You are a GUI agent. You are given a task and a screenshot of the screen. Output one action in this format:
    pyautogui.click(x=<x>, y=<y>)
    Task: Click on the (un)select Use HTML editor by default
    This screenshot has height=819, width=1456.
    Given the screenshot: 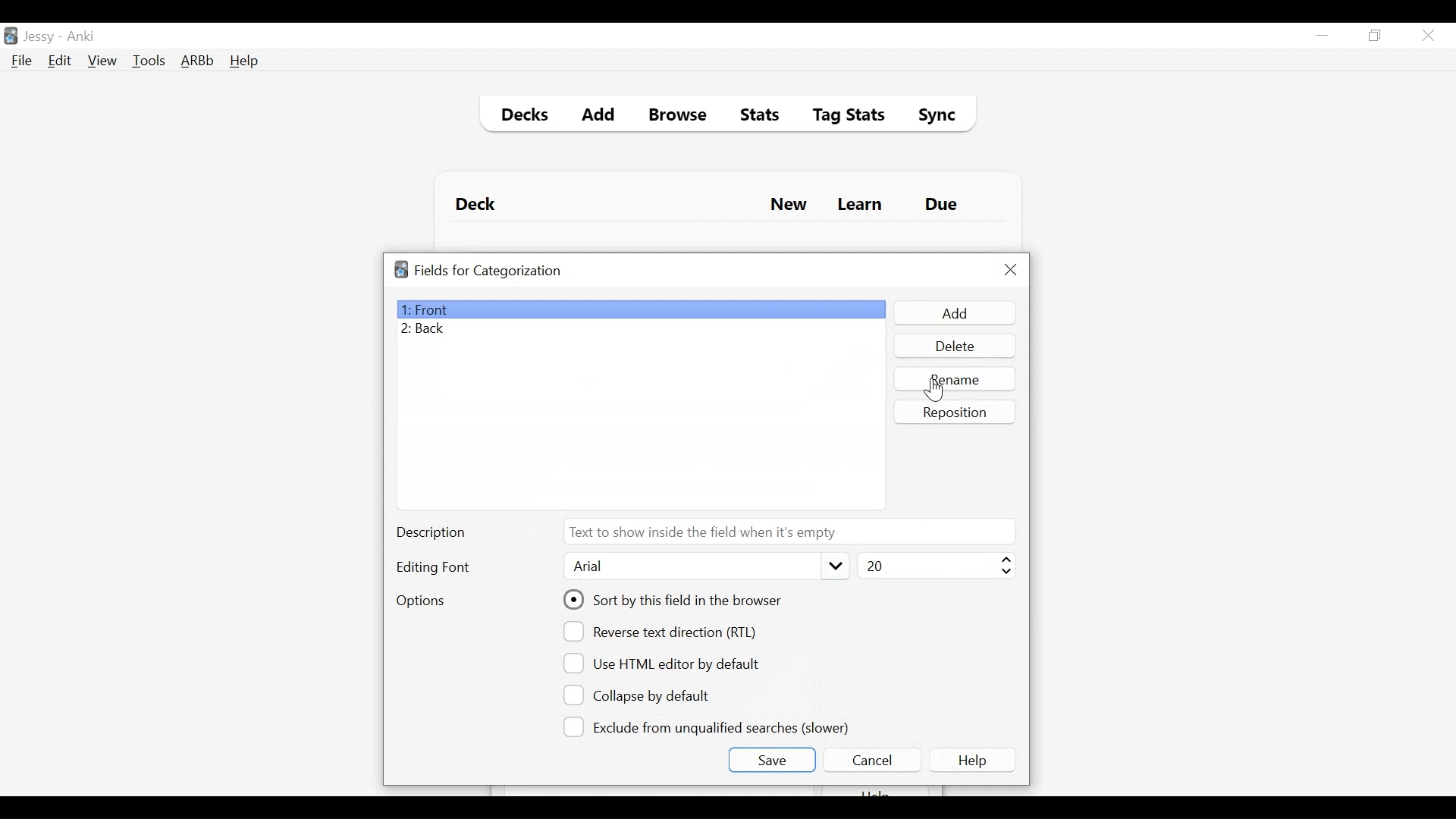 What is the action you would take?
    pyautogui.click(x=666, y=663)
    